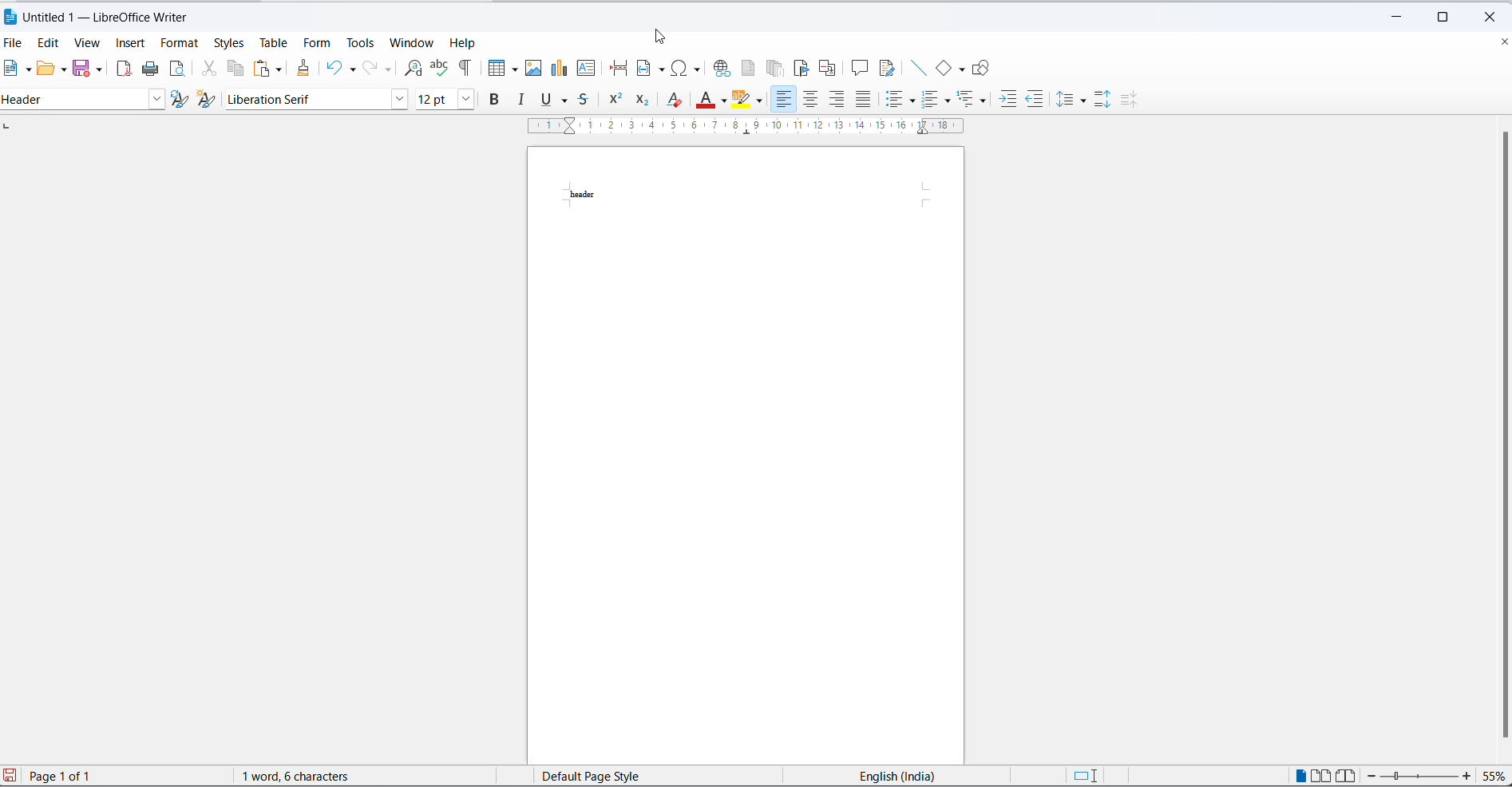  Describe the element at coordinates (59, 69) in the screenshot. I see `open options` at that location.